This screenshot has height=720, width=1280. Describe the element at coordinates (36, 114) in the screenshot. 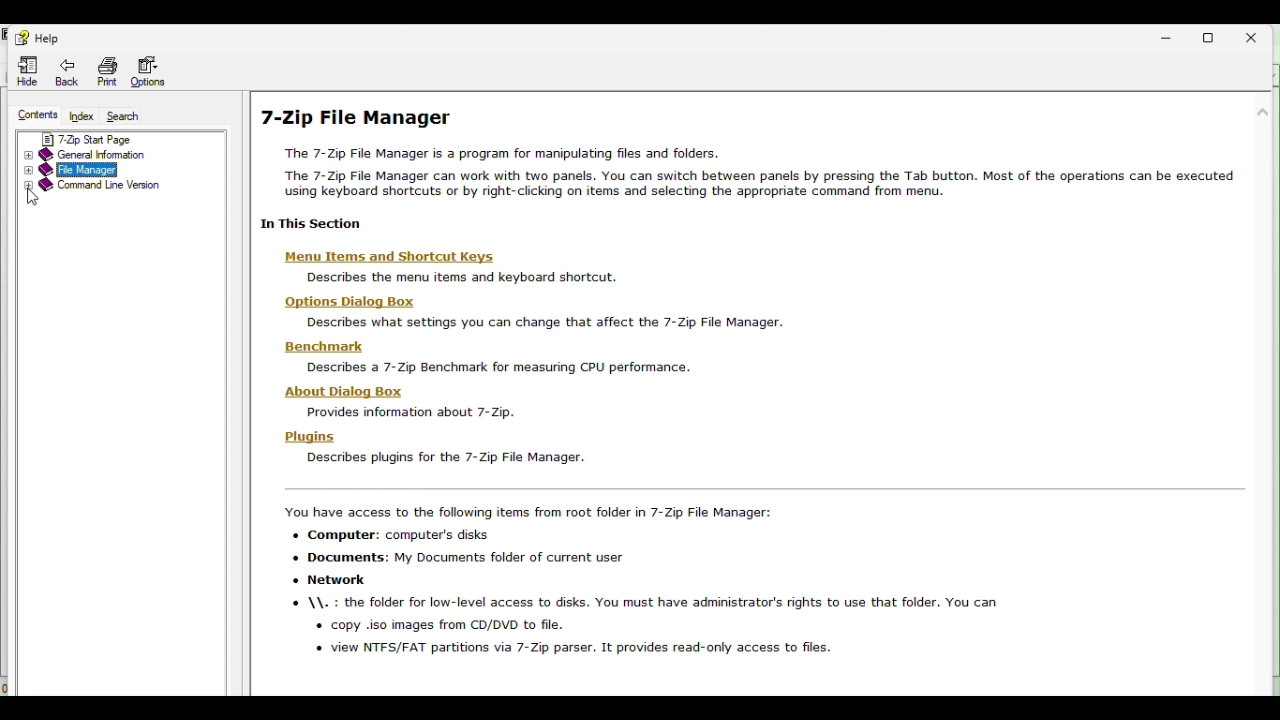

I see `Contents` at that location.